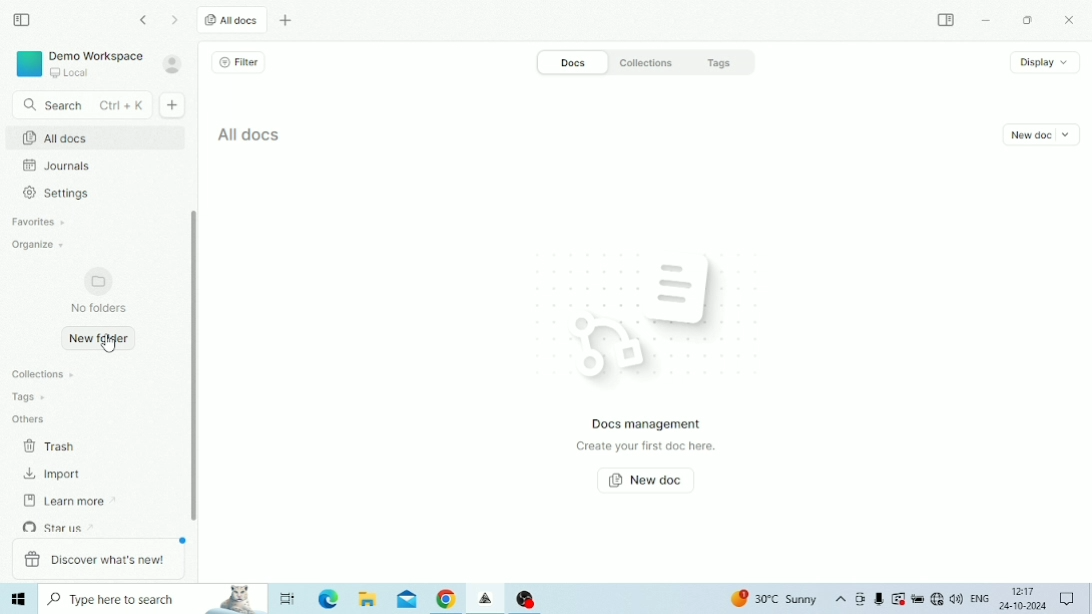  I want to click on Docs, so click(571, 62).